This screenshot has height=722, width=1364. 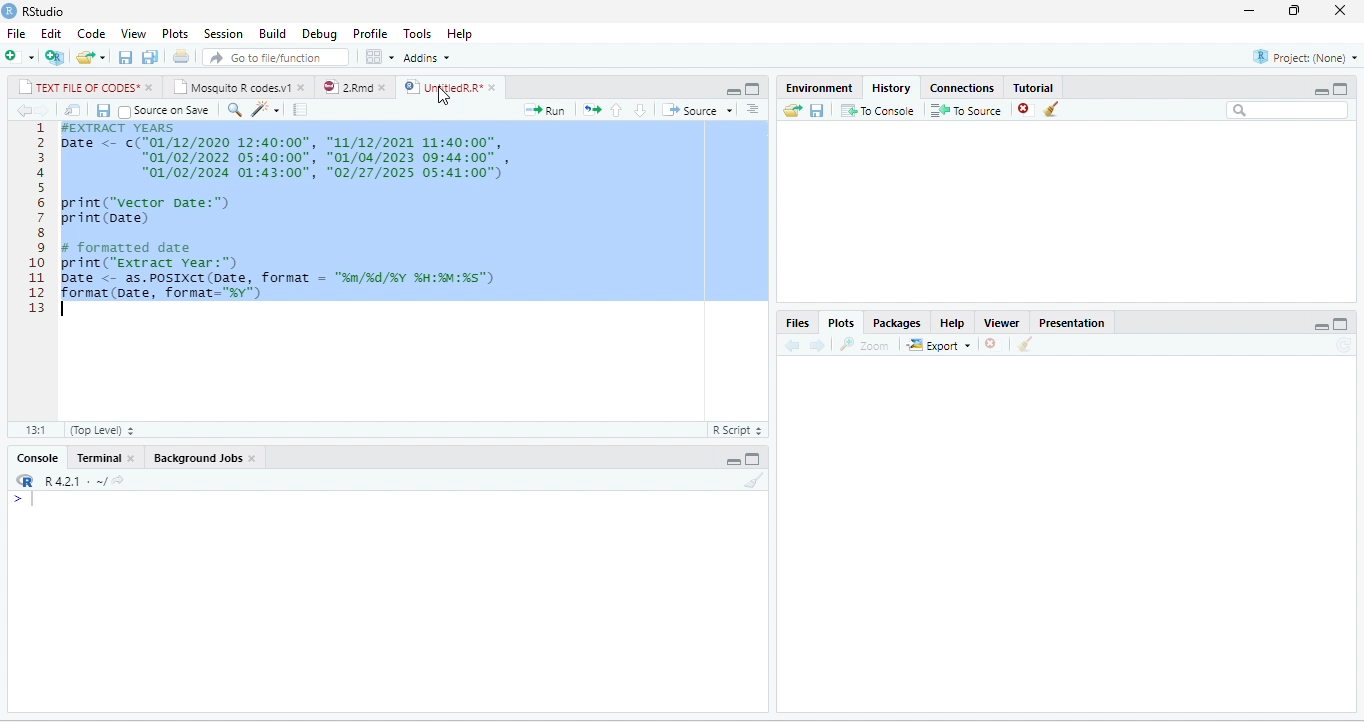 I want to click on close, so click(x=303, y=87).